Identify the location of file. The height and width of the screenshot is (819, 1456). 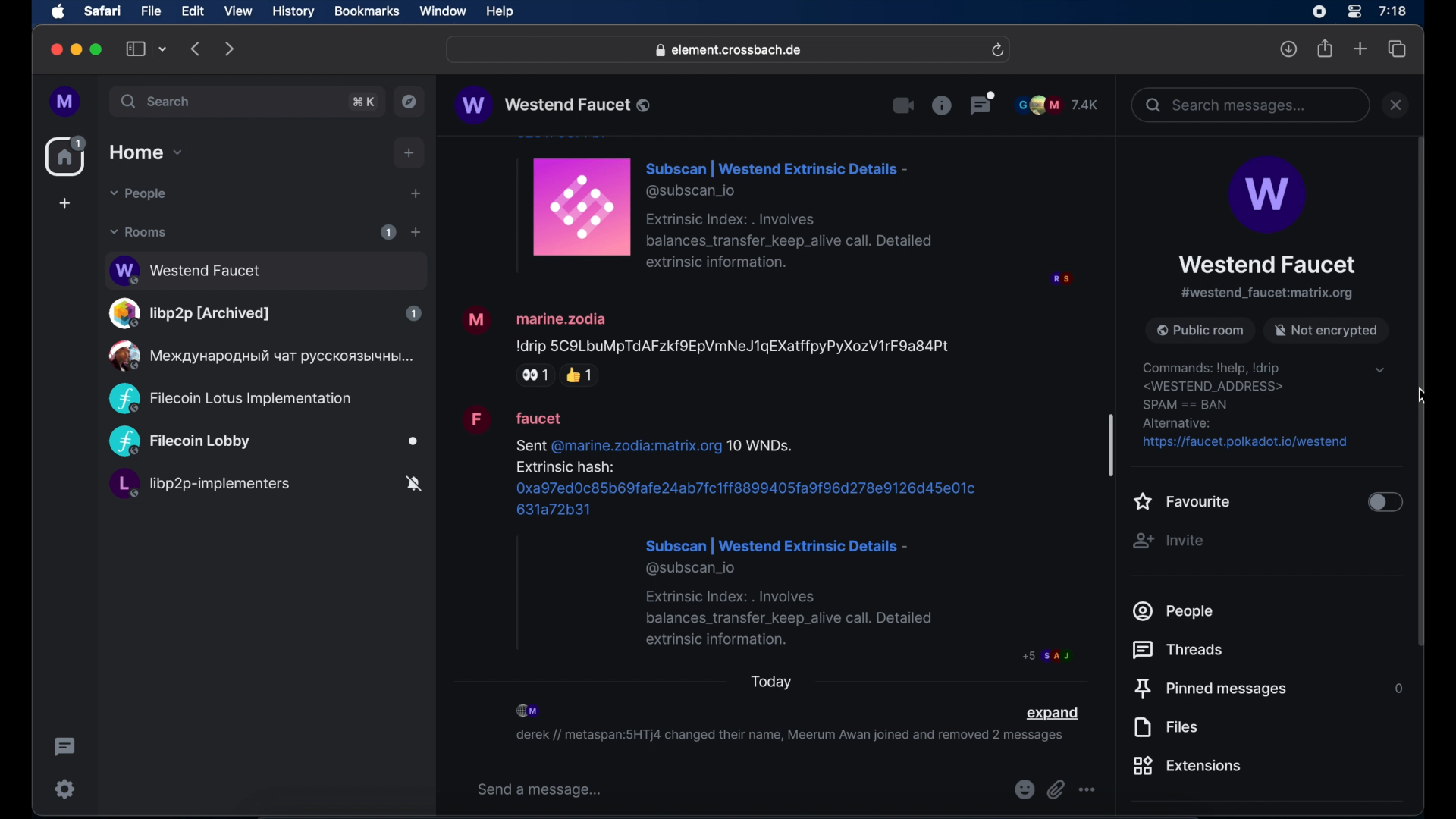
(151, 11).